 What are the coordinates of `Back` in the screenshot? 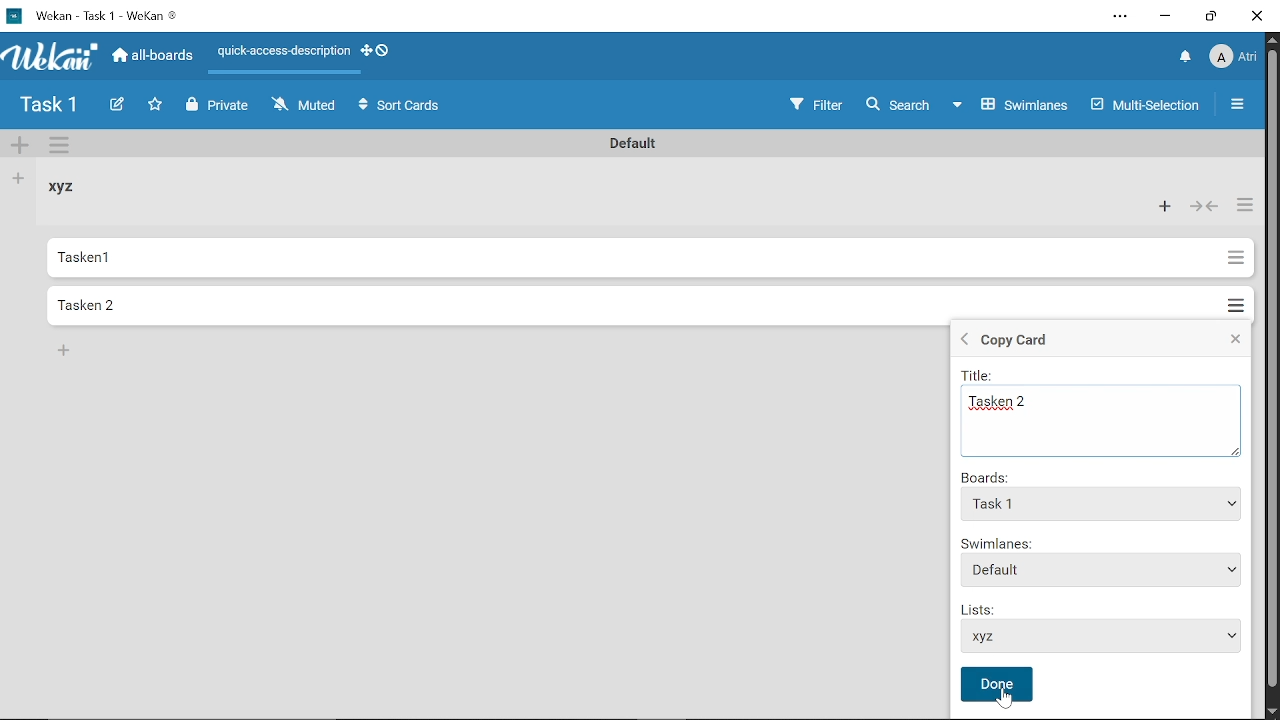 It's located at (962, 341).